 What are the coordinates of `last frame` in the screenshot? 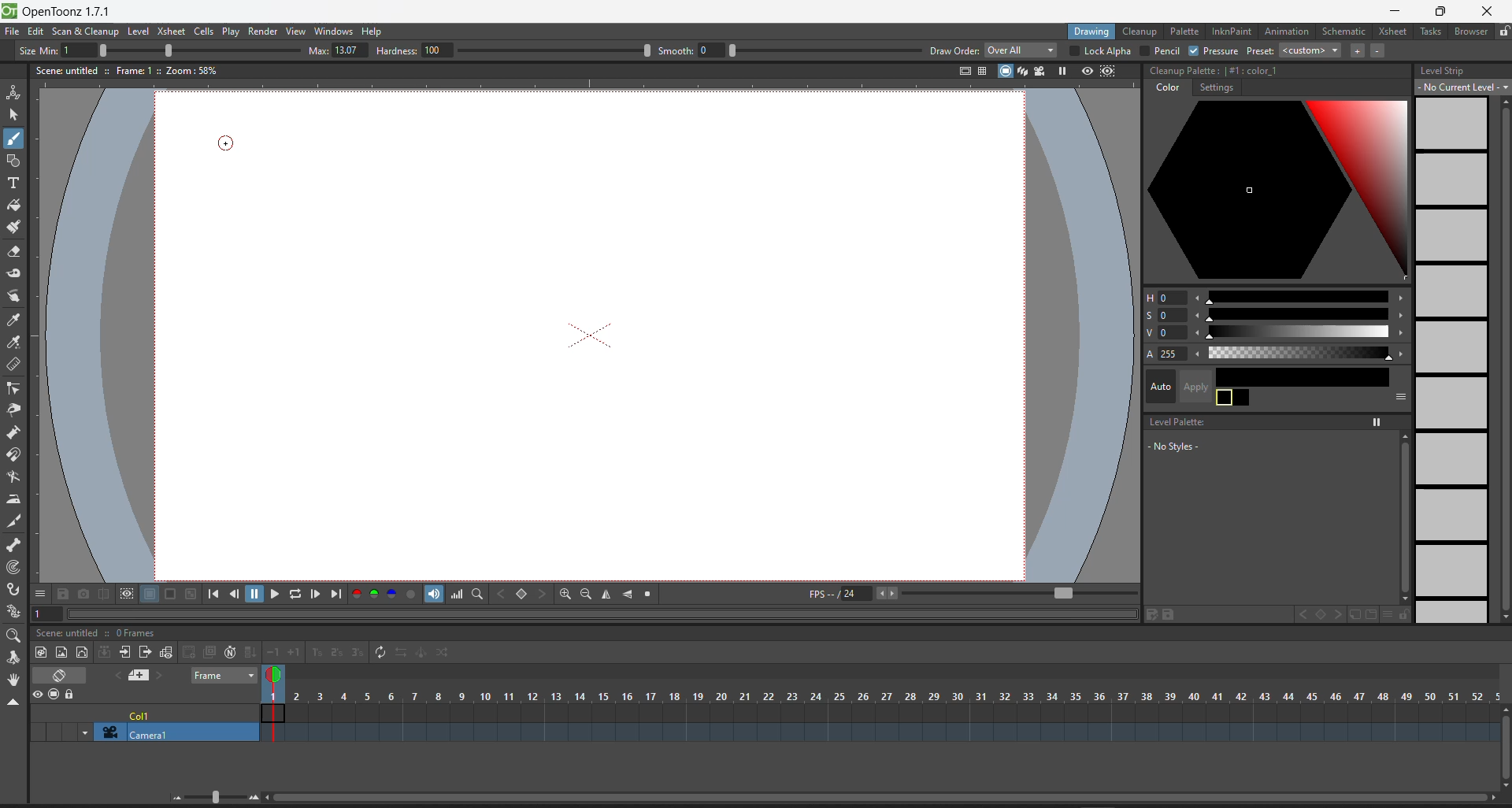 It's located at (337, 595).